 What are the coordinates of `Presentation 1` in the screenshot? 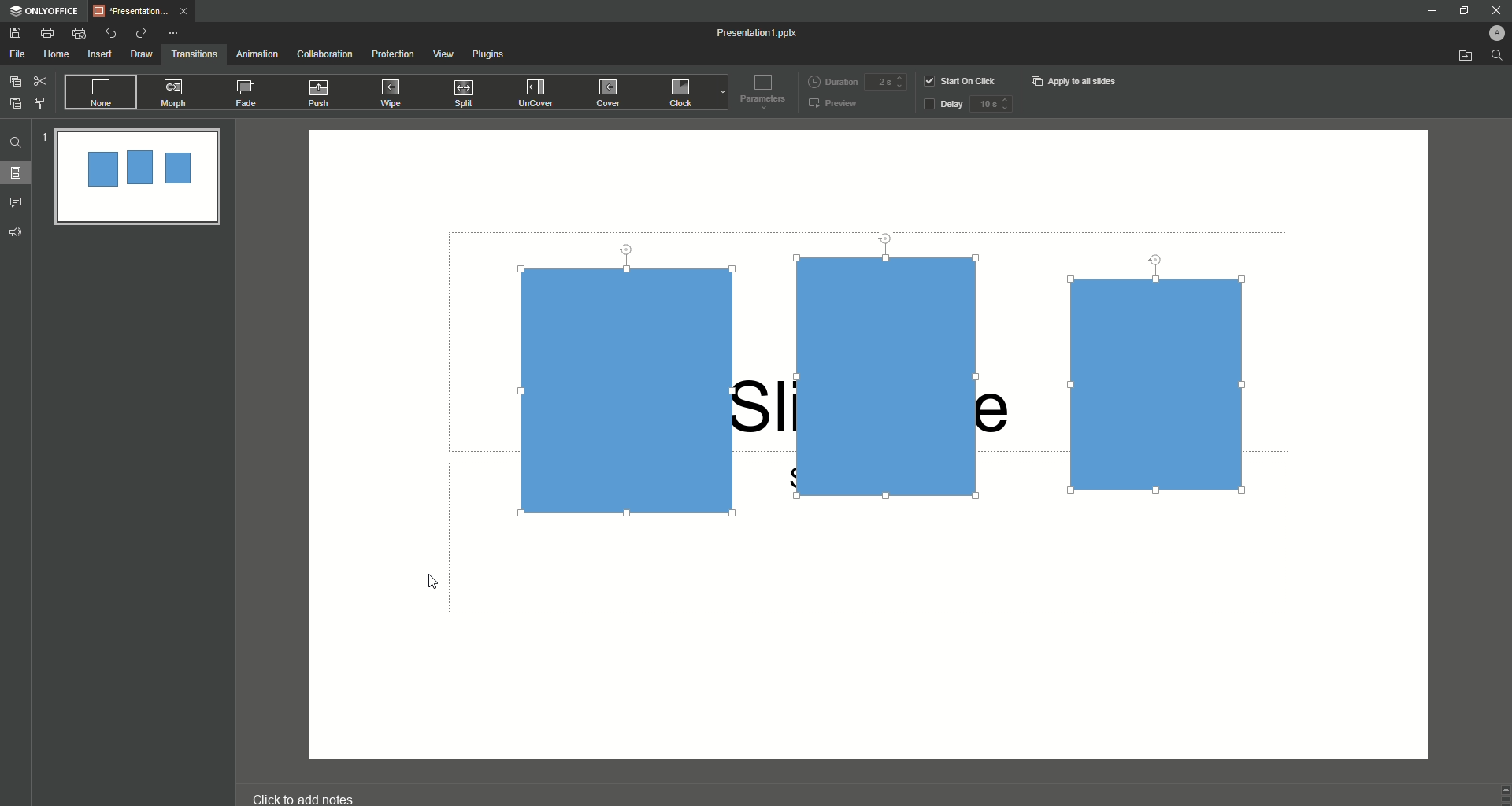 It's located at (759, 33).